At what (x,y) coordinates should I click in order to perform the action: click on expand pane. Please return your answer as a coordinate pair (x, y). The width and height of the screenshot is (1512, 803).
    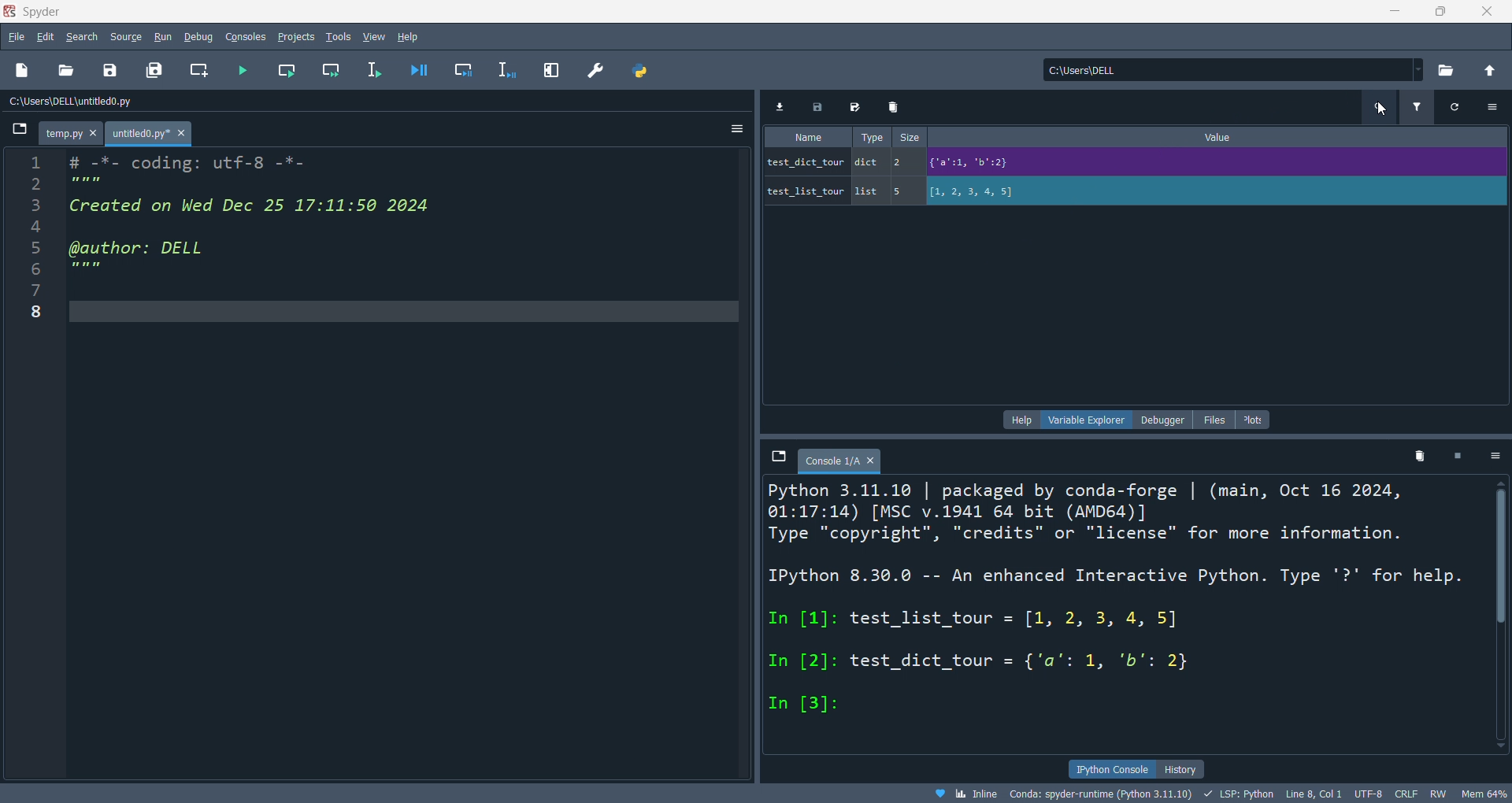
    Looking at the image, I should click on (548, 69).